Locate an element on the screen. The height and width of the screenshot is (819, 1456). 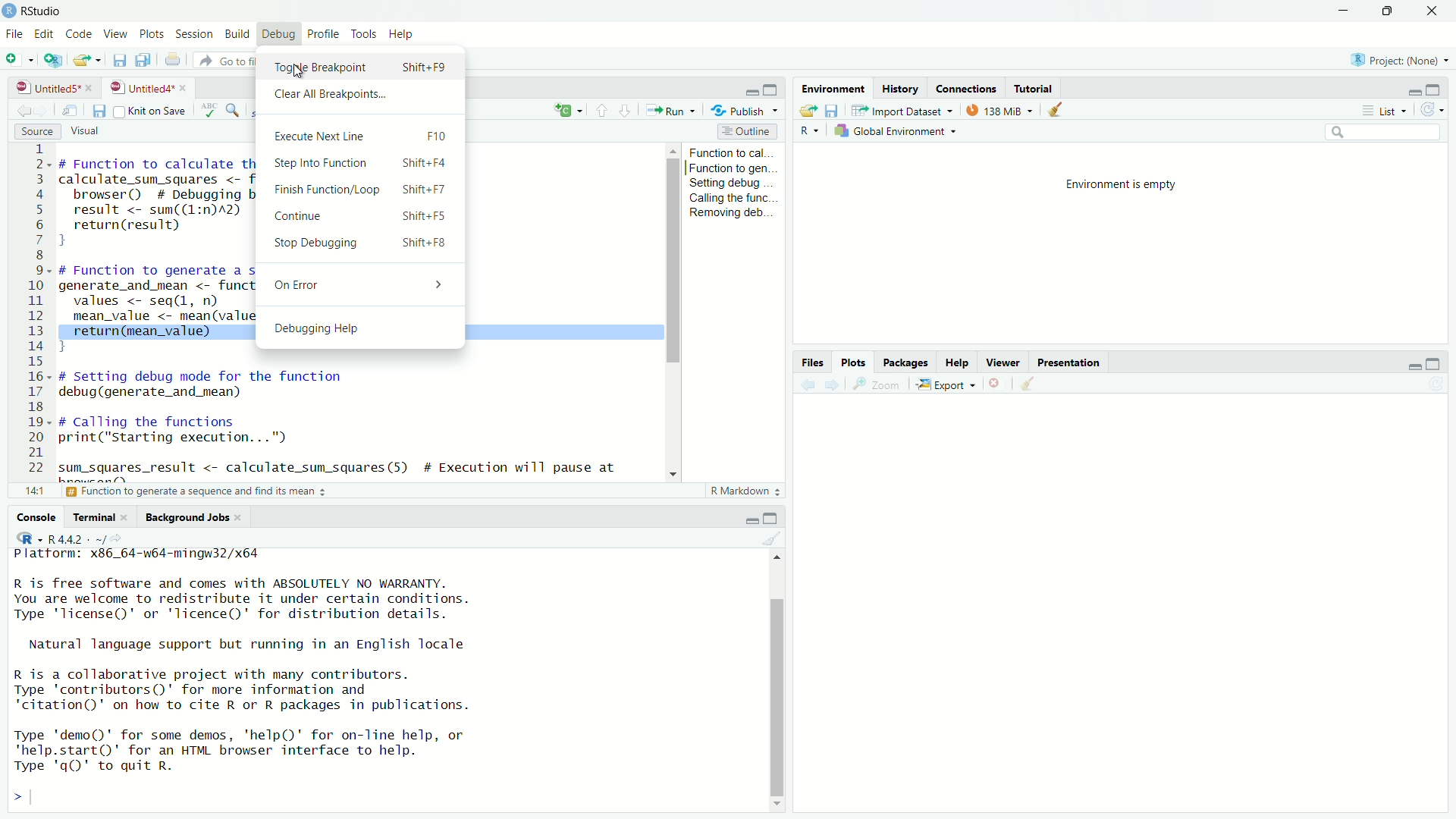
run the current line/selection is located at coordinates (673, 110).